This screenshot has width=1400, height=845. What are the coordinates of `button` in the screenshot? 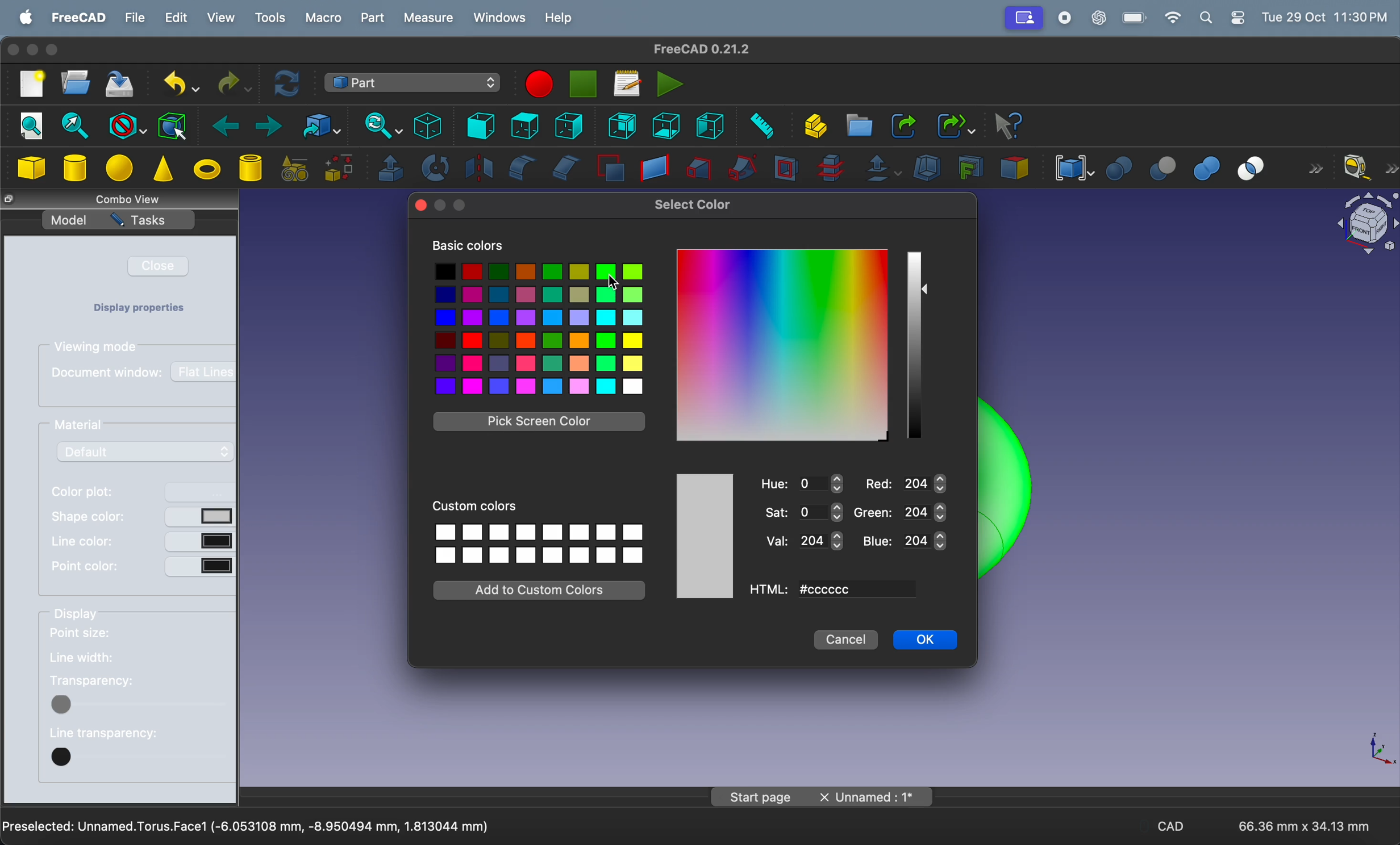 It's located at (931, 288).